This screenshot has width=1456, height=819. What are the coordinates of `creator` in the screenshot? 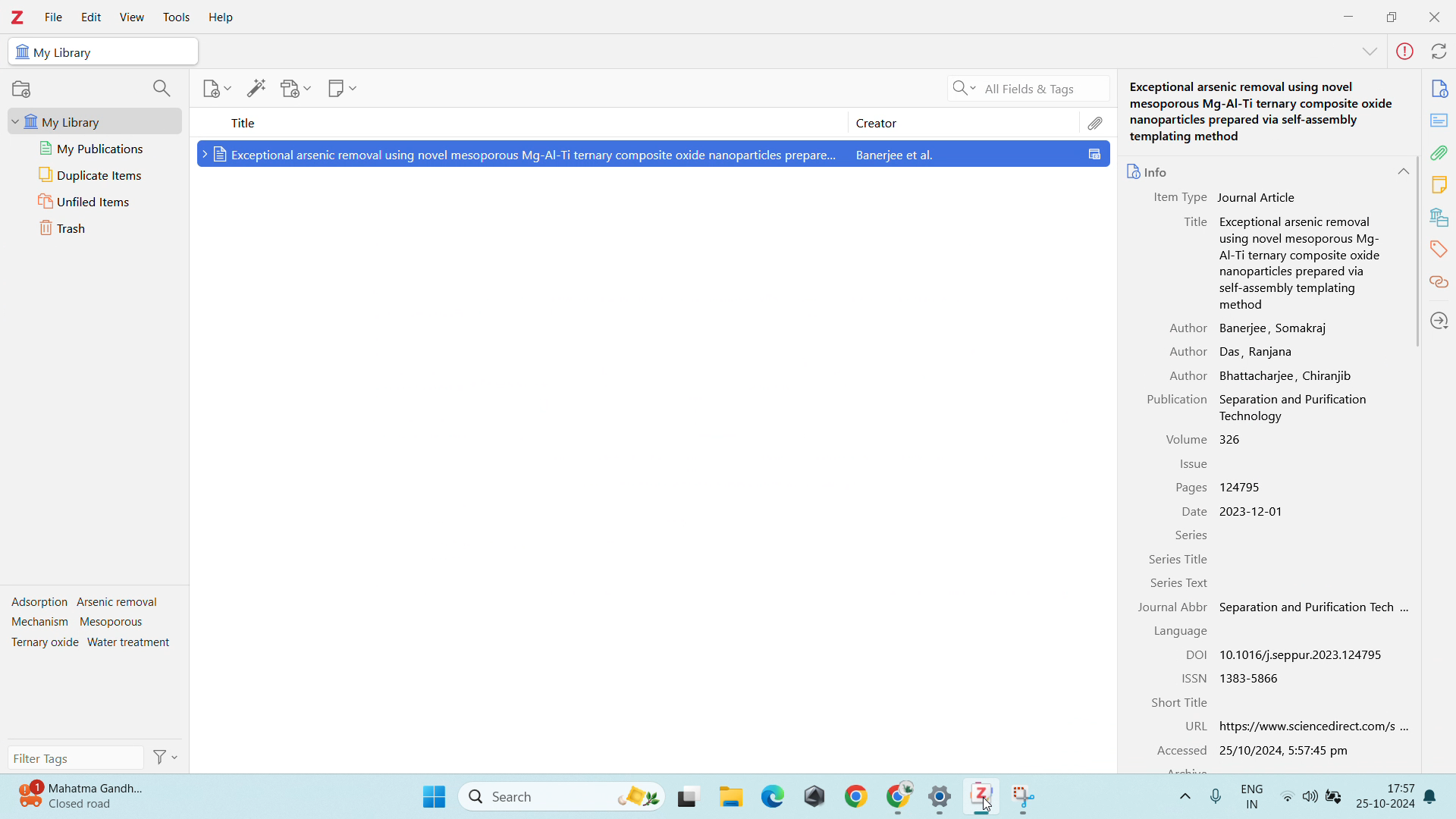 It's located at (963, 122).